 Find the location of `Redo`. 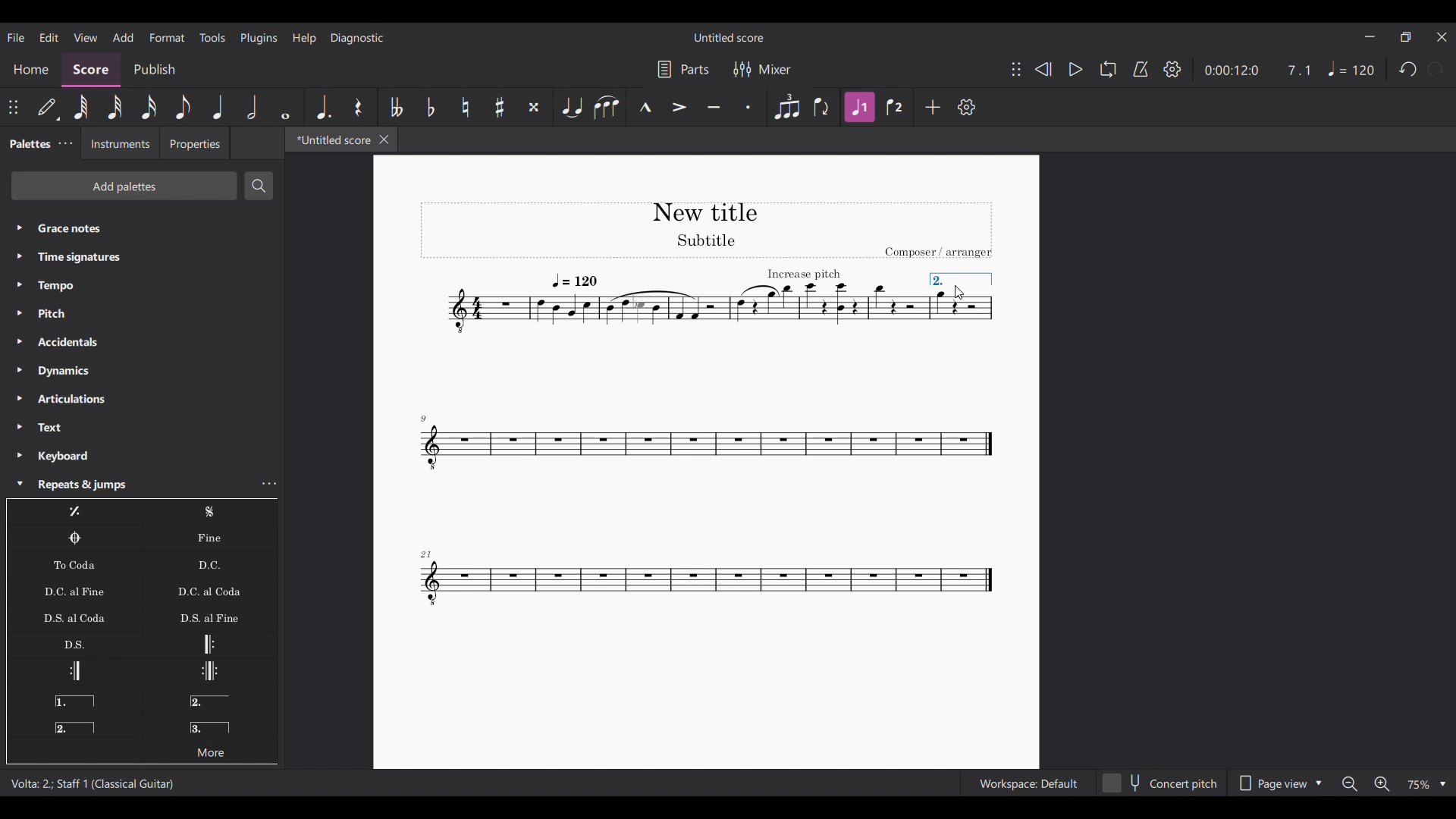

Redo is located at coordinates (1436, 69).